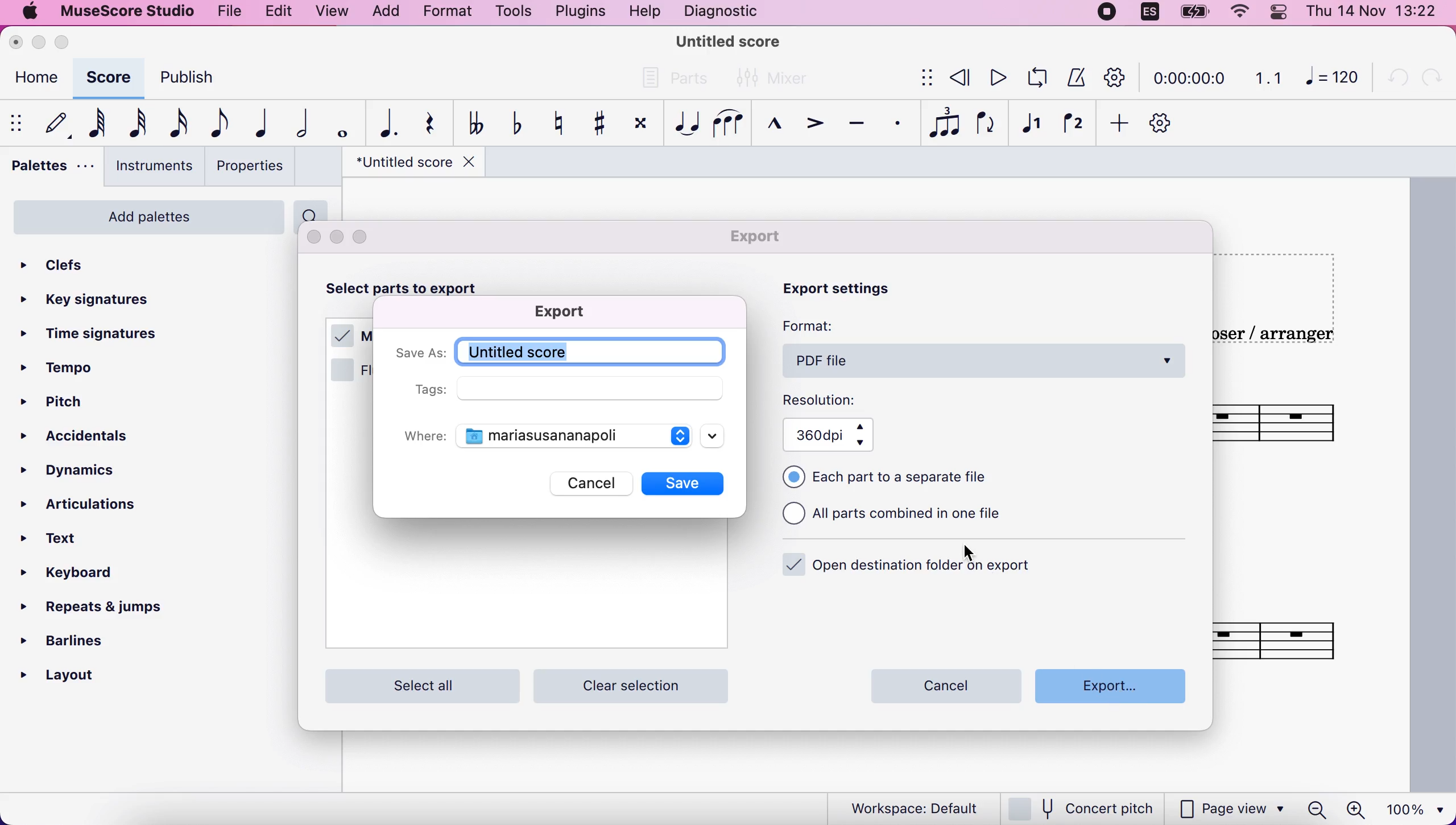 Image resolution: width=1456 pixels, height=825 pixels. I want to click on toggle flat, so click(514, 124).